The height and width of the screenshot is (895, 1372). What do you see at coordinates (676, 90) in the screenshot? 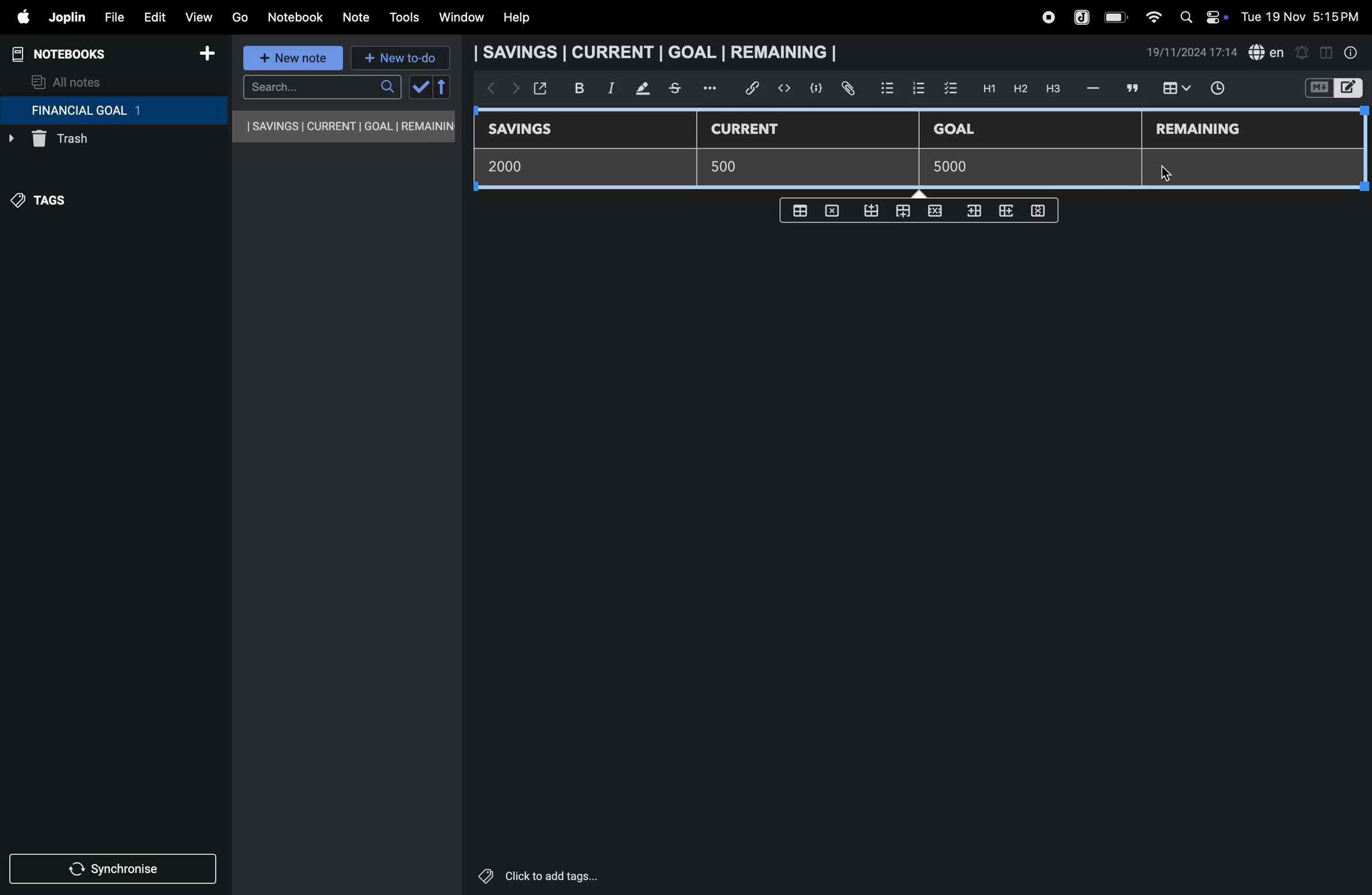
I see `stketchbook` at bounding box center [676, 90].